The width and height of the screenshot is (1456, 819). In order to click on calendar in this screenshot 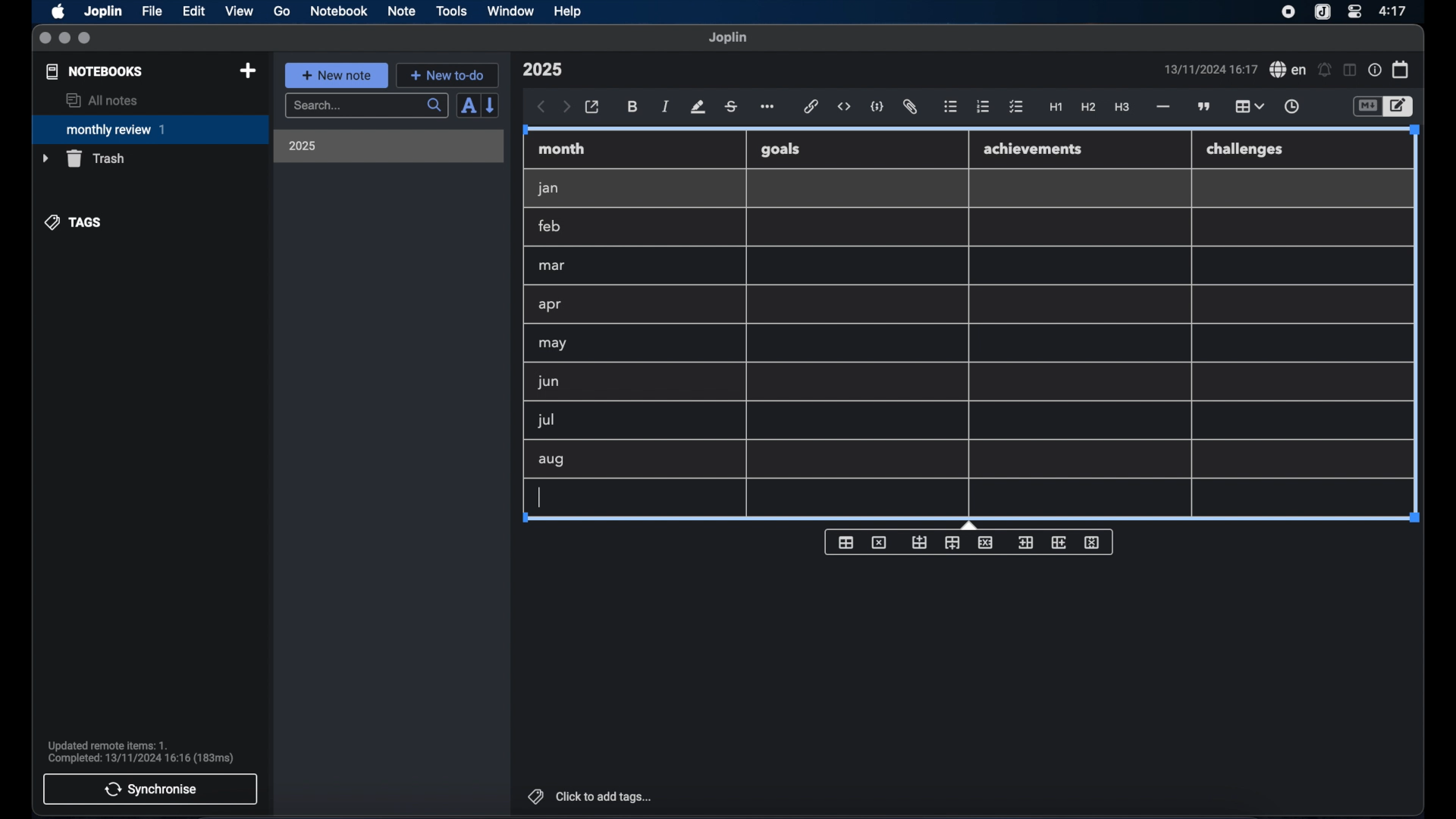, I will do `click(1401, 69)`.